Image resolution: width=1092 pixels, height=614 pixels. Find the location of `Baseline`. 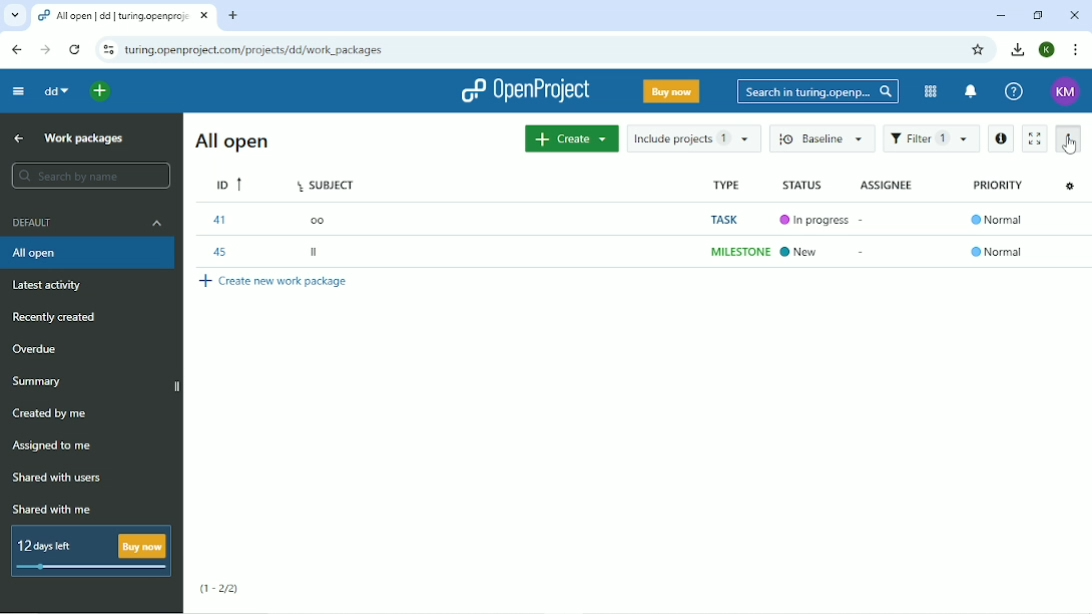

Baseline is located at coordinates (821, 138).